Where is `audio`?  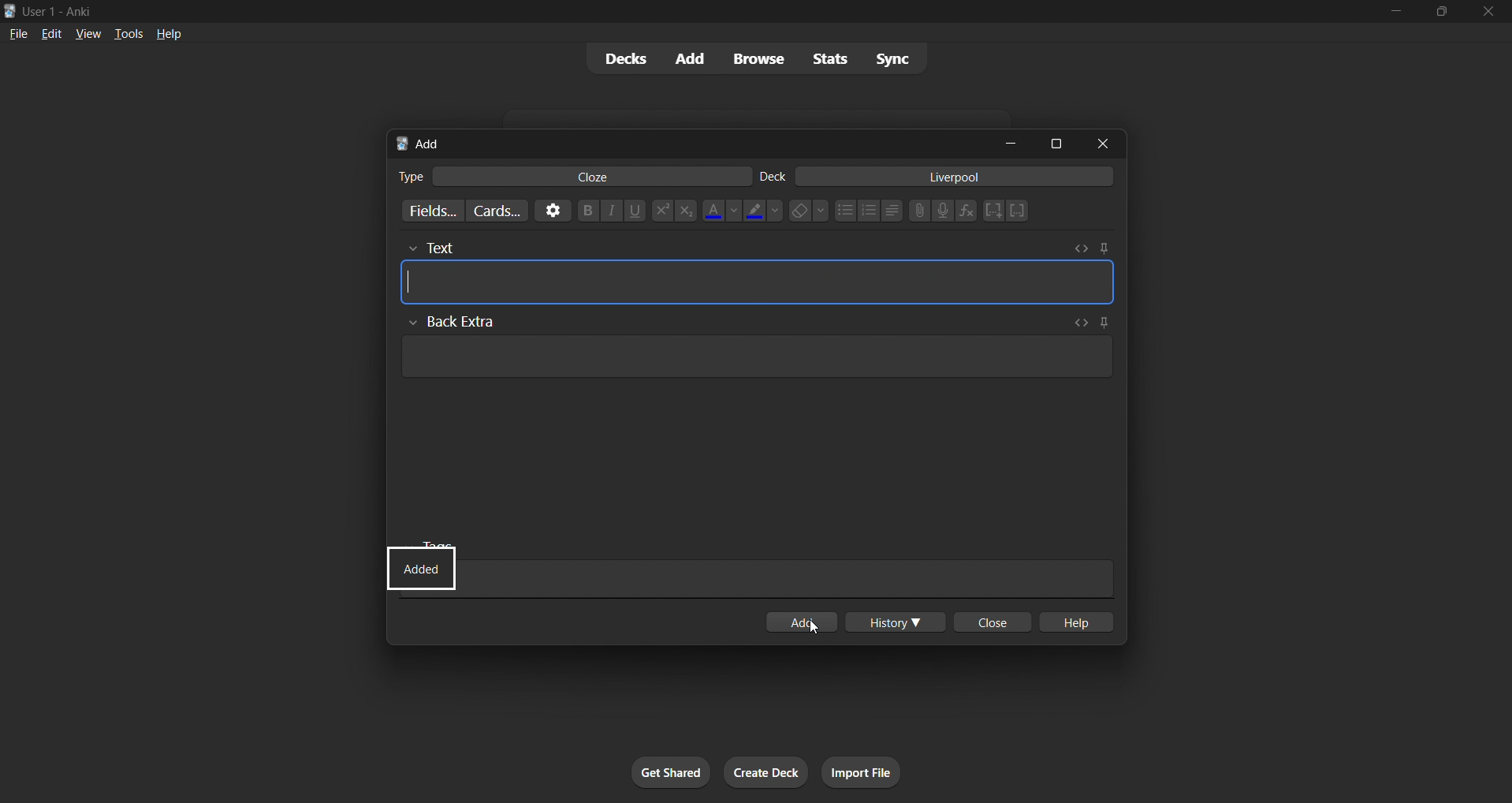 audio is located at coordinates (943, 211).